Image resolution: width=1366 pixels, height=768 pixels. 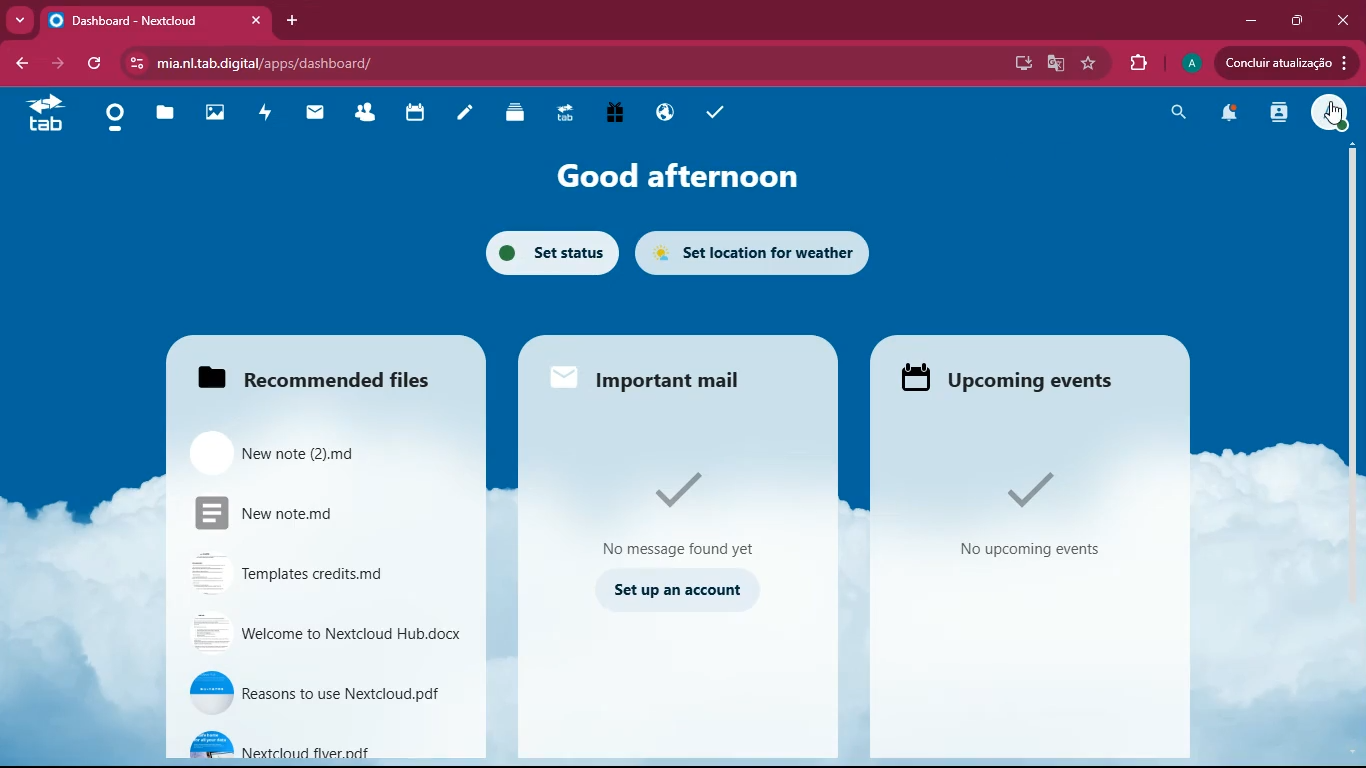 I want to click on file, so click(x=303, y=510).